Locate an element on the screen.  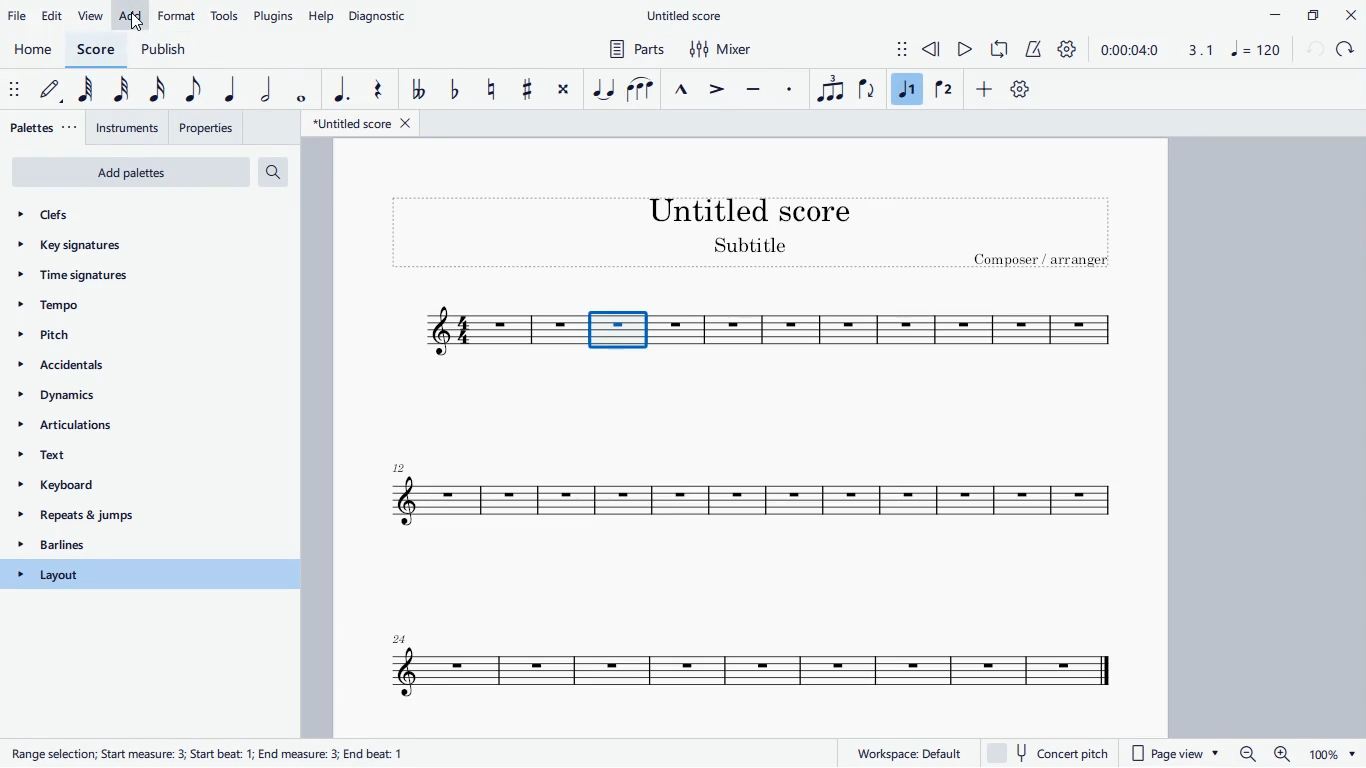
cursor is located at coordinates (137, 24).